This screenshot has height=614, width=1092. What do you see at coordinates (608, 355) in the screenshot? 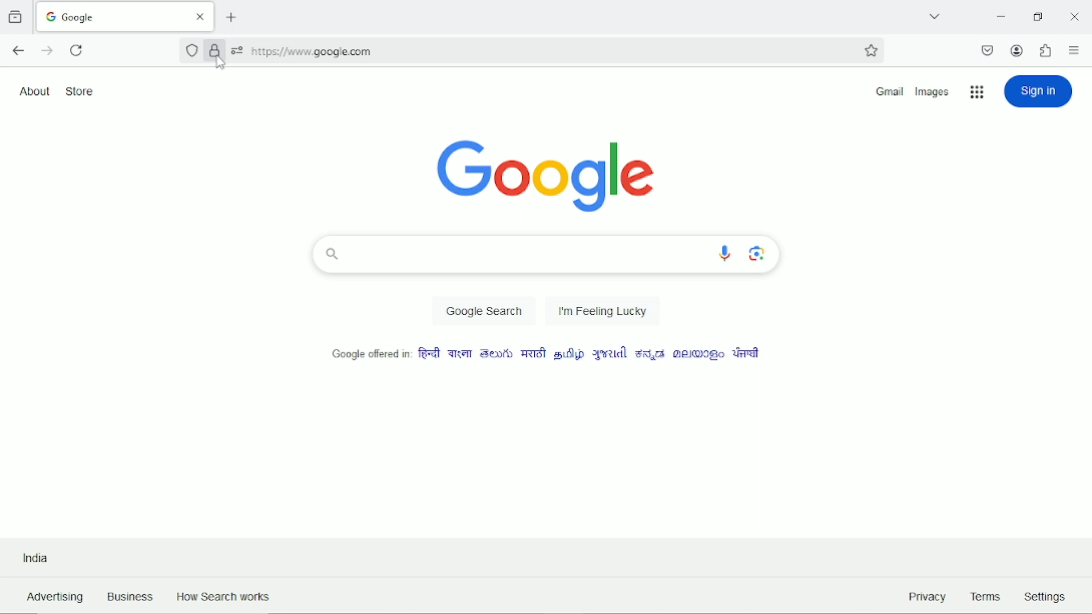
I see `language` at bounding box center [608, 355].